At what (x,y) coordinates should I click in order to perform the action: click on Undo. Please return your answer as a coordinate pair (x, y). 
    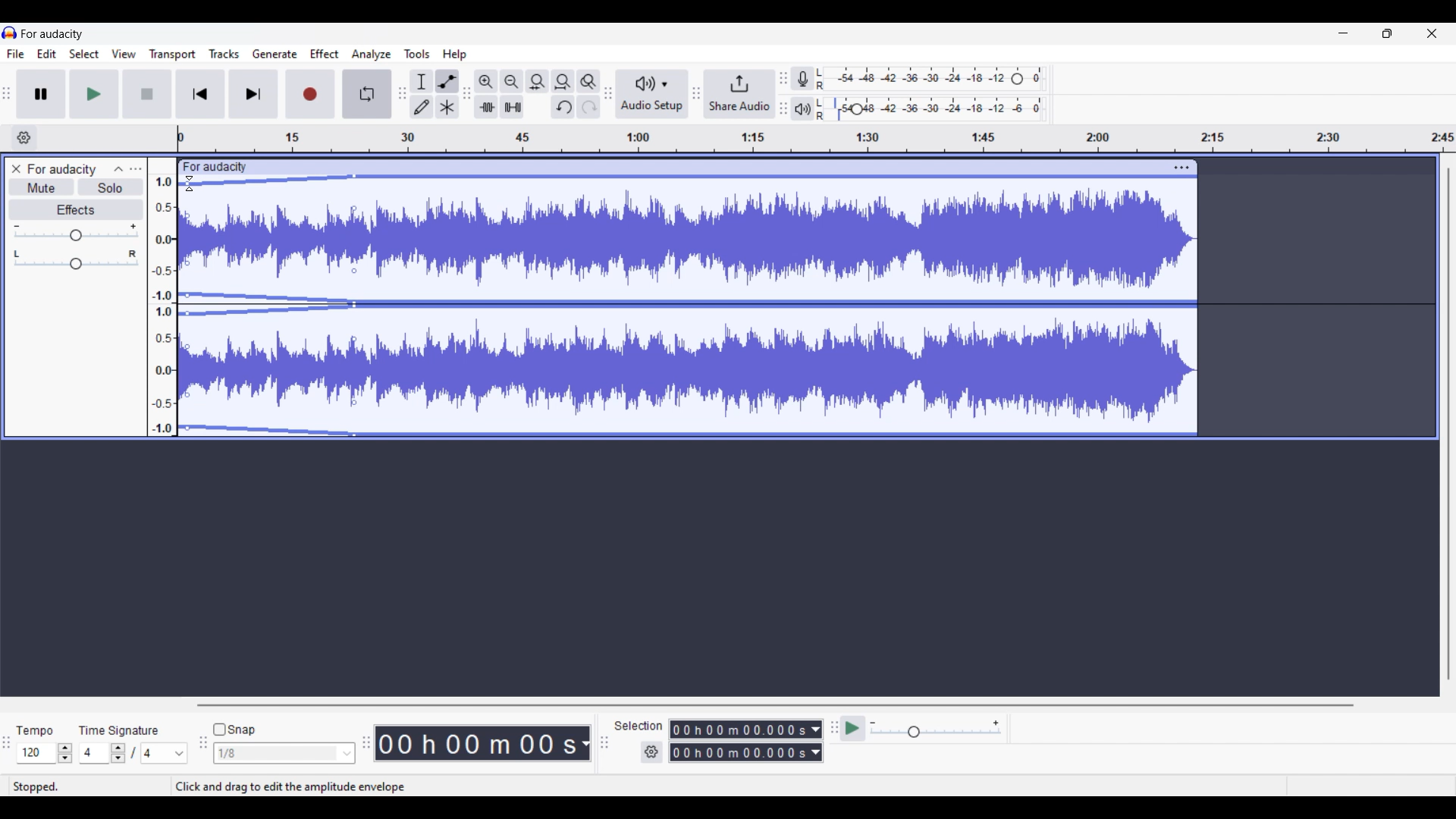
    Looking at the image, I should click on (563, 107).